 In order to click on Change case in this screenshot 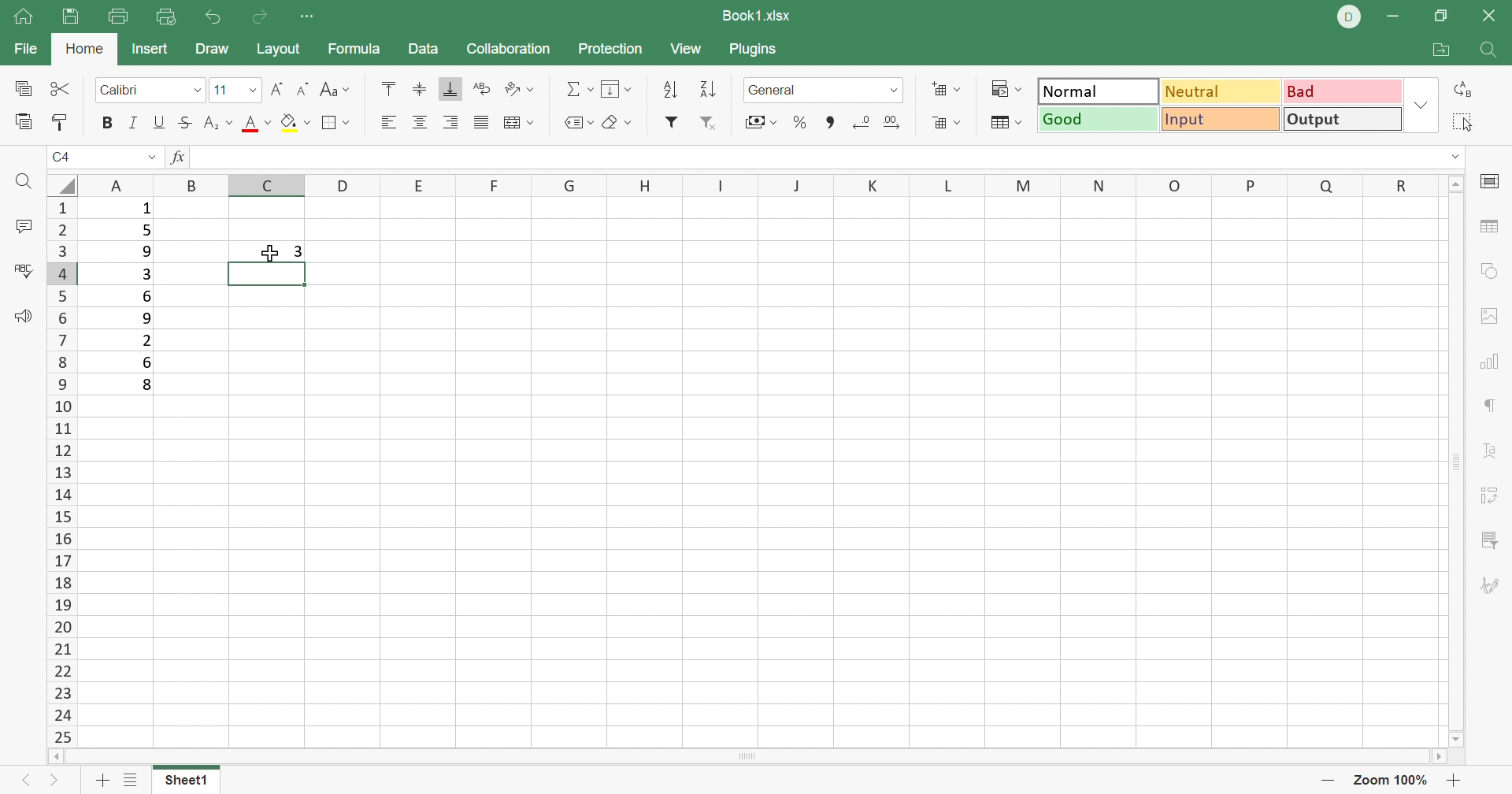, I will do `click(335, 87)`.